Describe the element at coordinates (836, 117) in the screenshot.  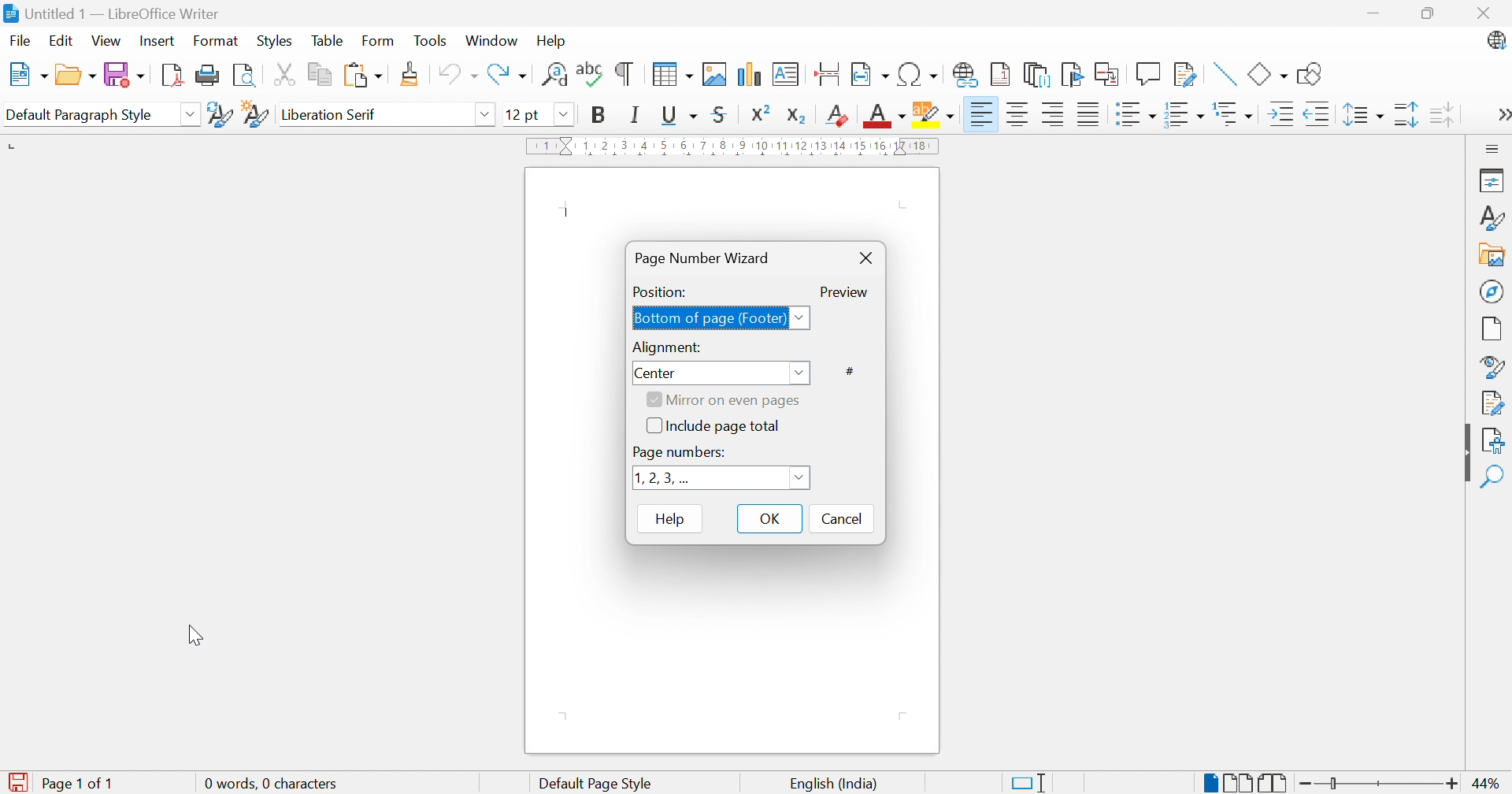
I see `Subscript` at that location.